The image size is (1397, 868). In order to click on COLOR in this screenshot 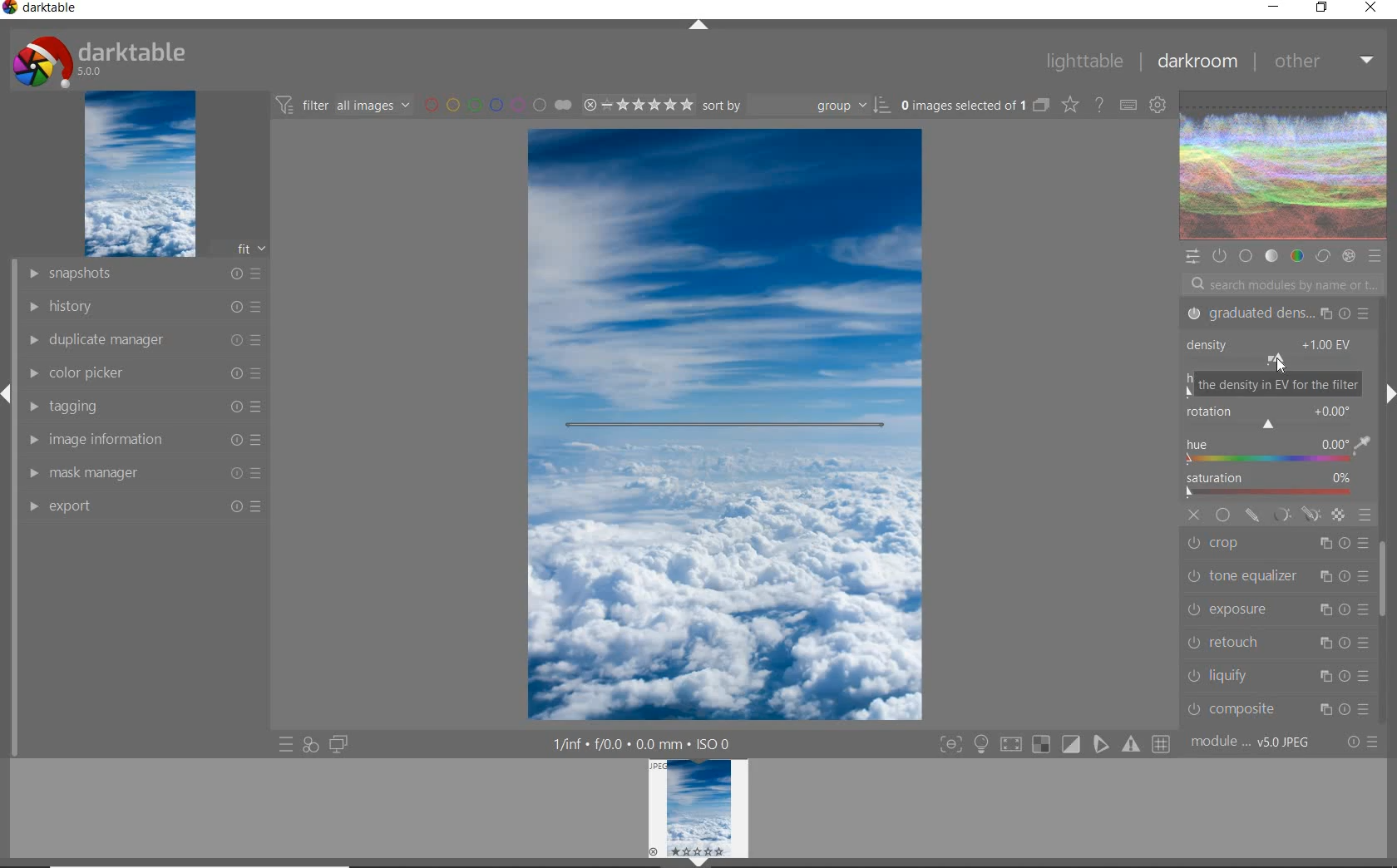, I will do `click(1296, 257)`.